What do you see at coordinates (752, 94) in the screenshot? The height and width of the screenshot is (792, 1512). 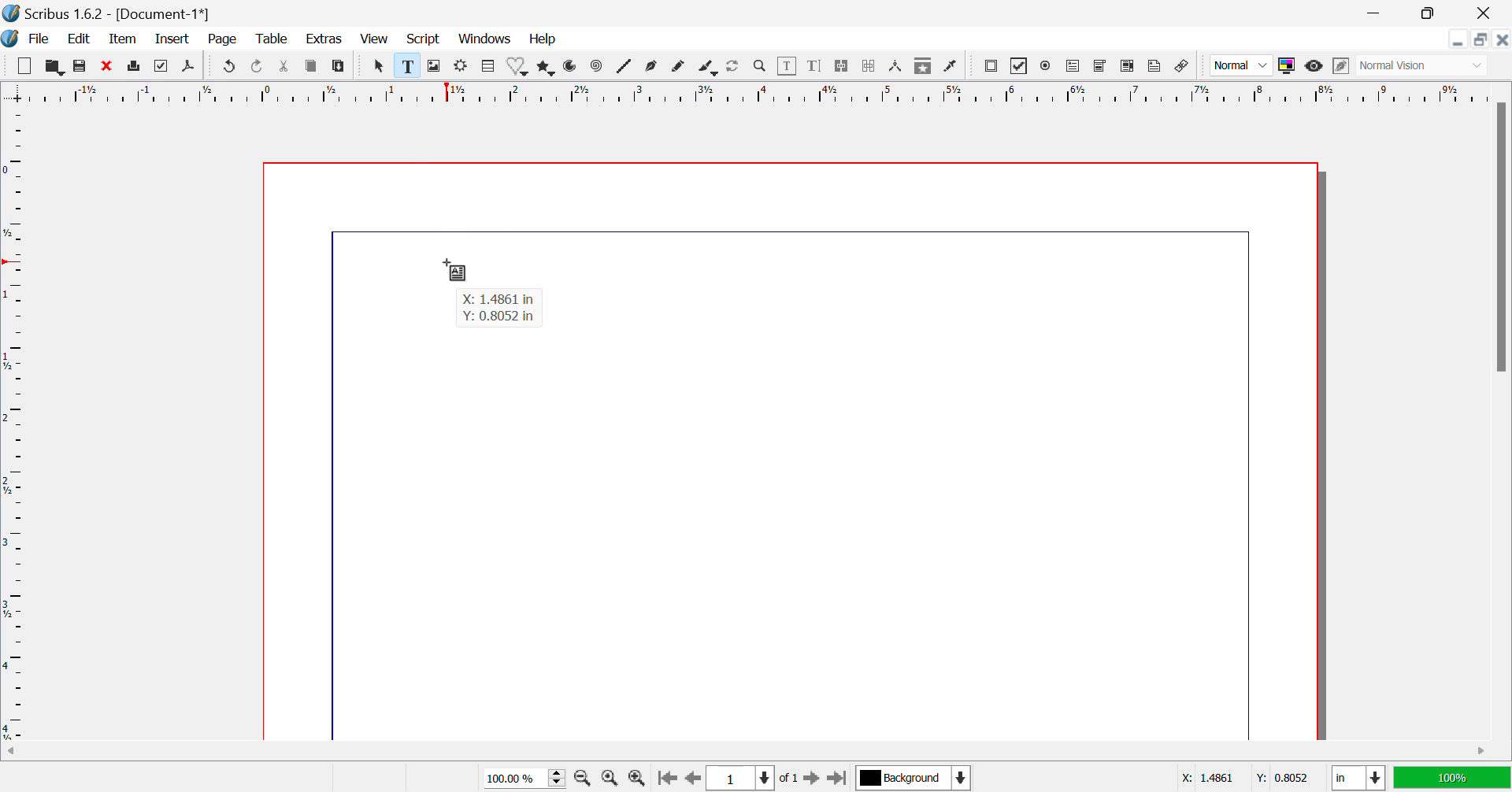 I see `Vertical Page Margins` at bounding box center [752, 94].